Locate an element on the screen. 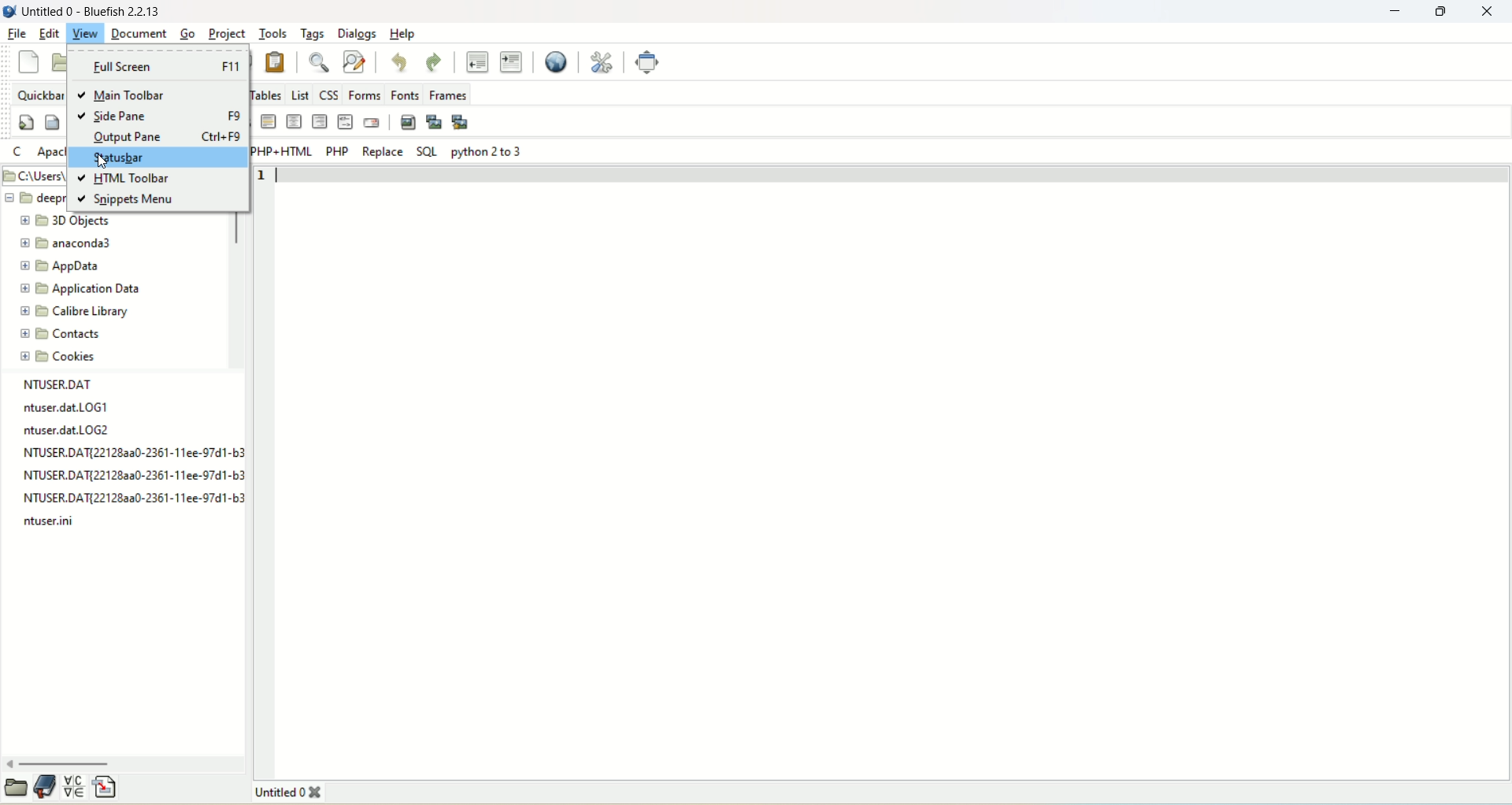 This screenshot has height=805, width=1512. title is located at coordinates (91, 13).